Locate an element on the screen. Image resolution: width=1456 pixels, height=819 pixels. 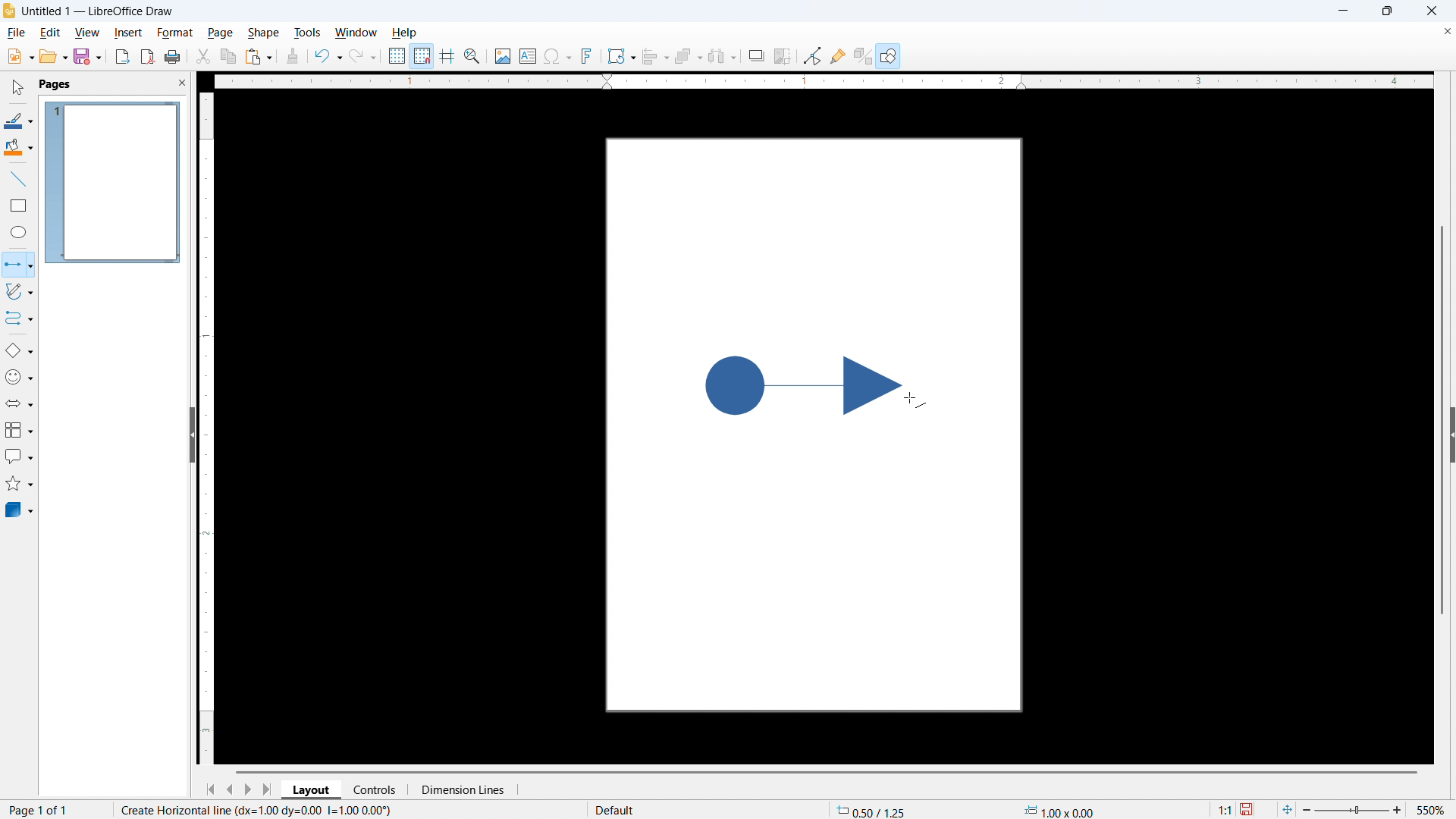
Page display  is located at coordinates (114, 183).